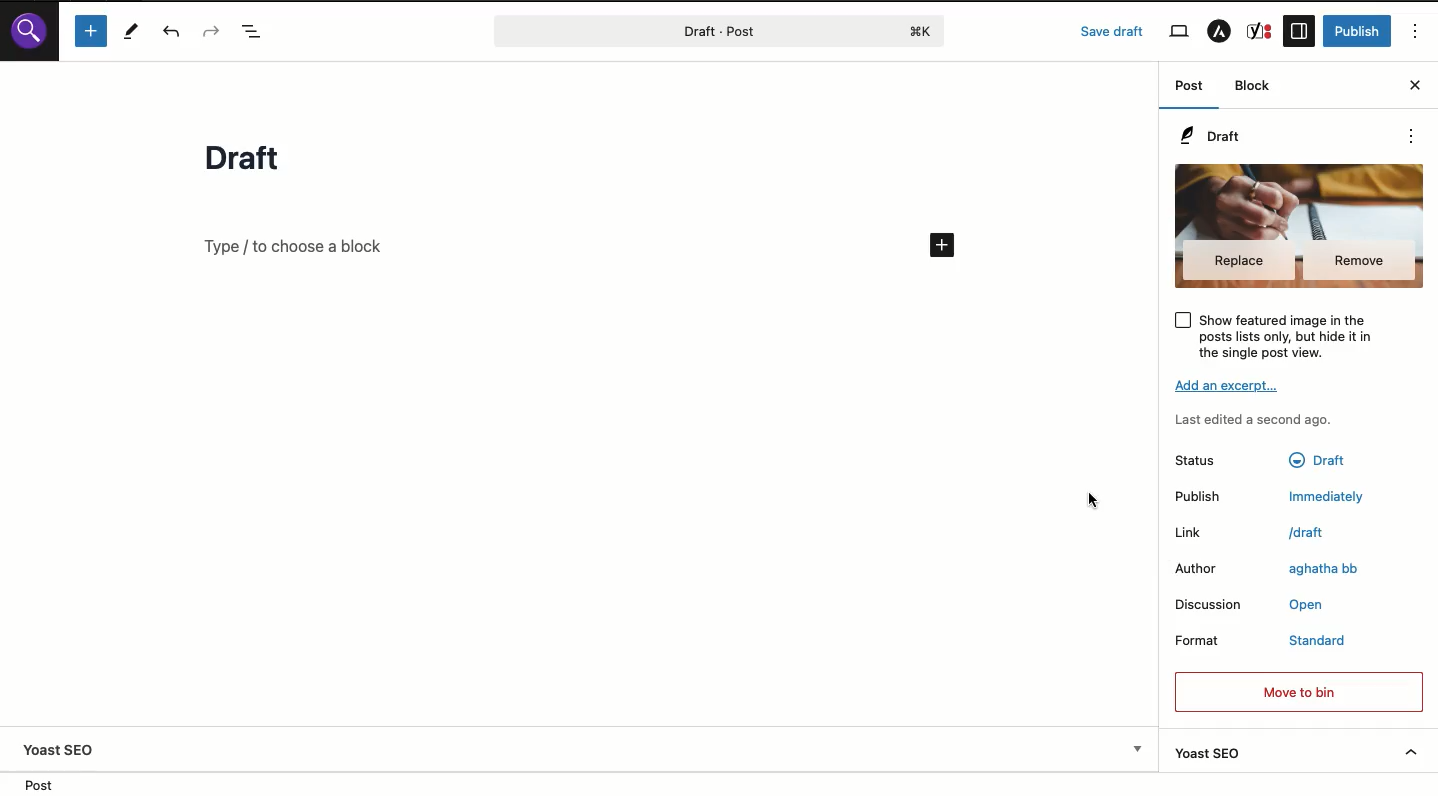 The width and height of the screenshot is (1438, 796). Describe the element at coordinates (1415, 33) in the screenshot. I see `Options` at that location.